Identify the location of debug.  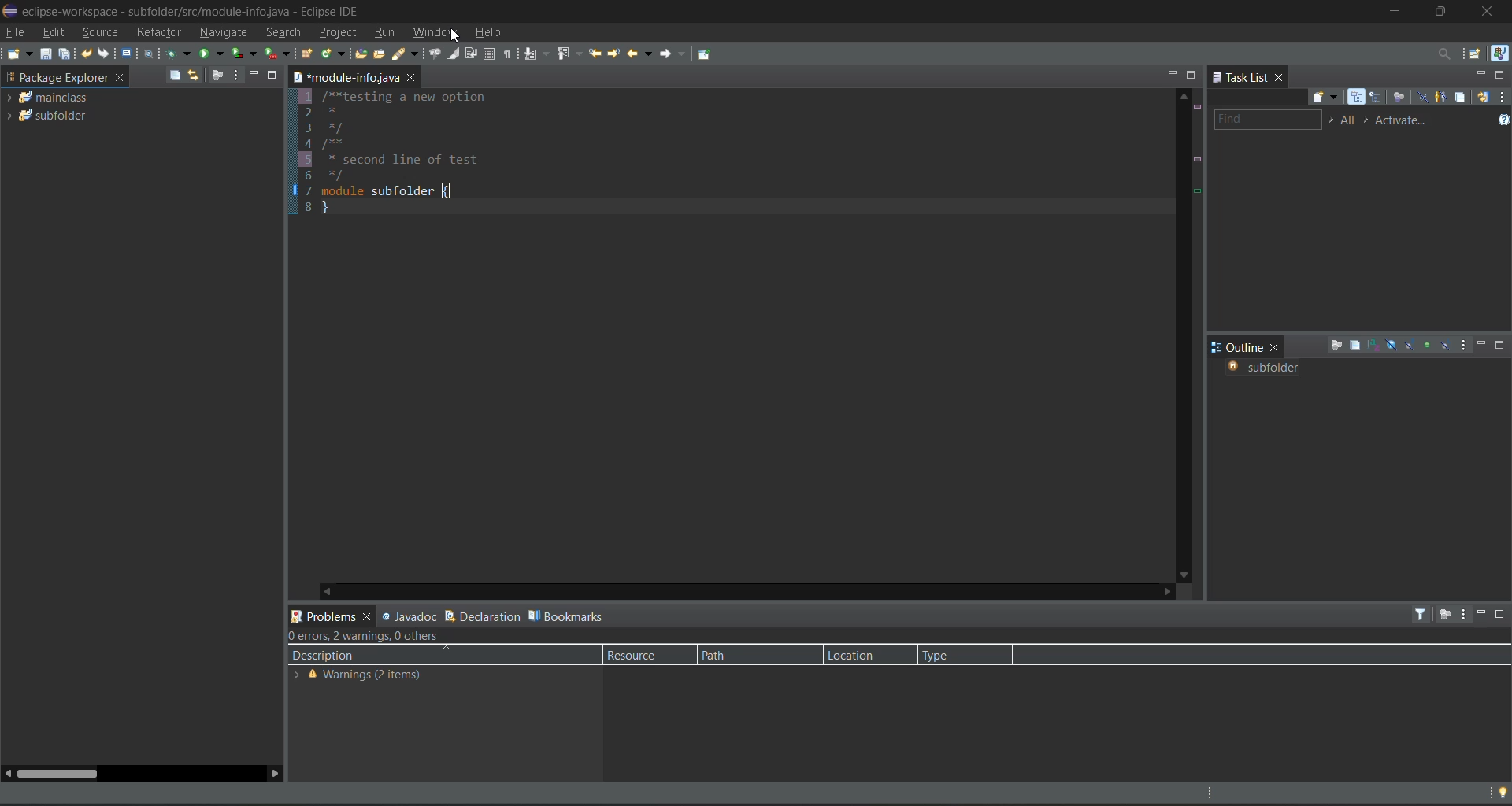
(180, 54).